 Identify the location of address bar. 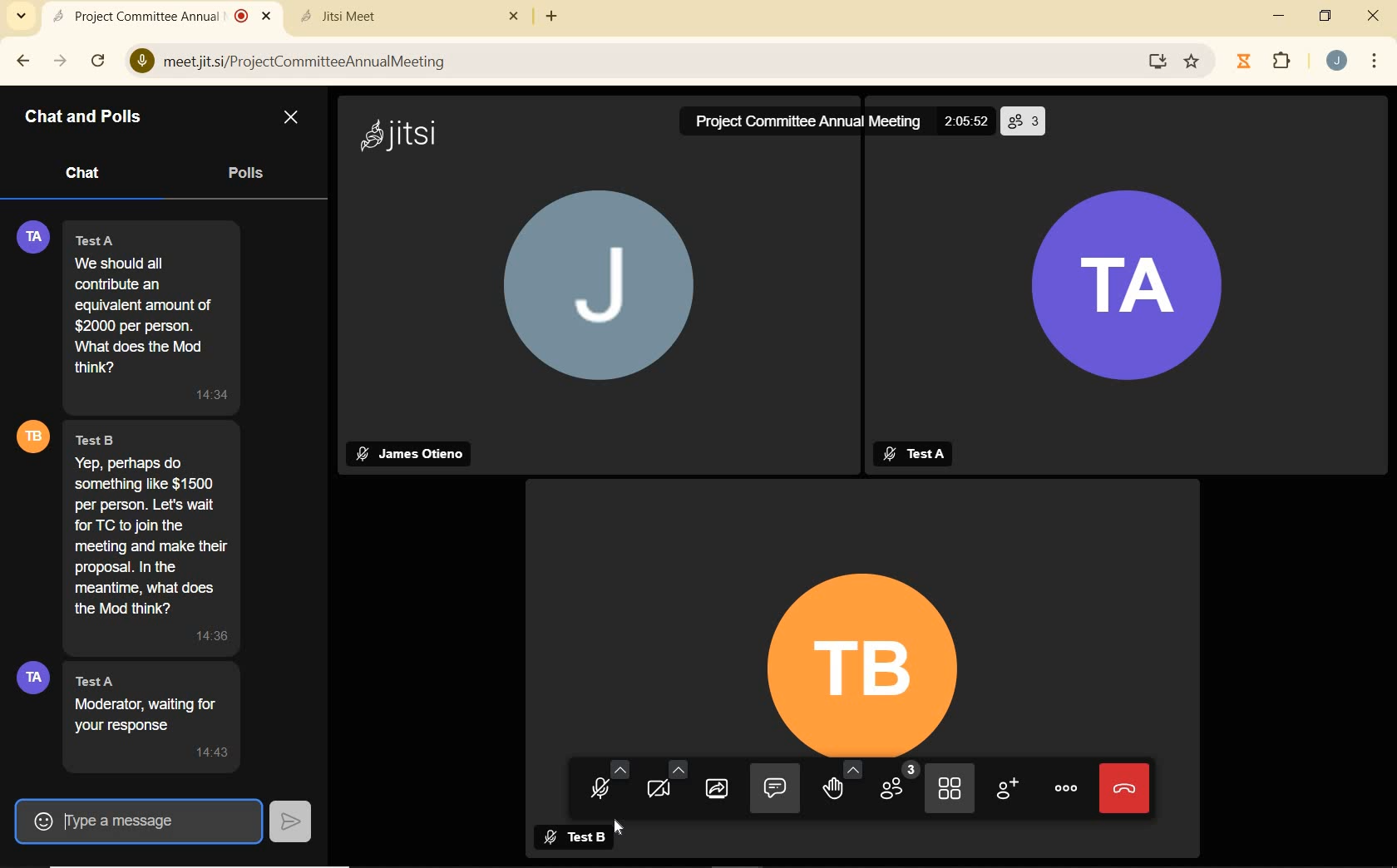
(644, 62).